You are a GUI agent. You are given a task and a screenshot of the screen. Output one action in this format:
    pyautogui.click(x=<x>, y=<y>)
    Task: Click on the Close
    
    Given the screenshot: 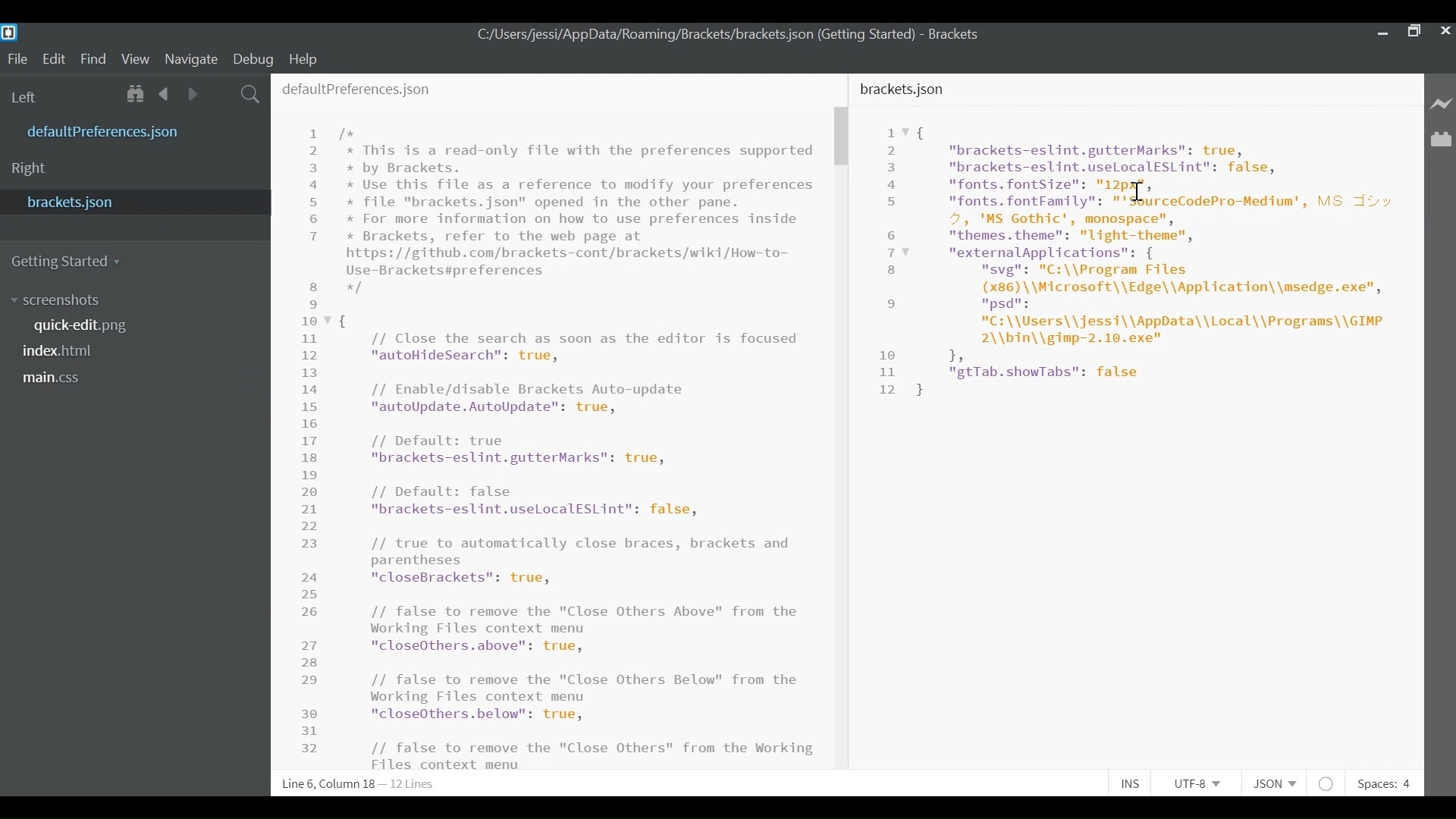 What is the action you would take?
    pyautogui.click(x=1444, y=30)
    